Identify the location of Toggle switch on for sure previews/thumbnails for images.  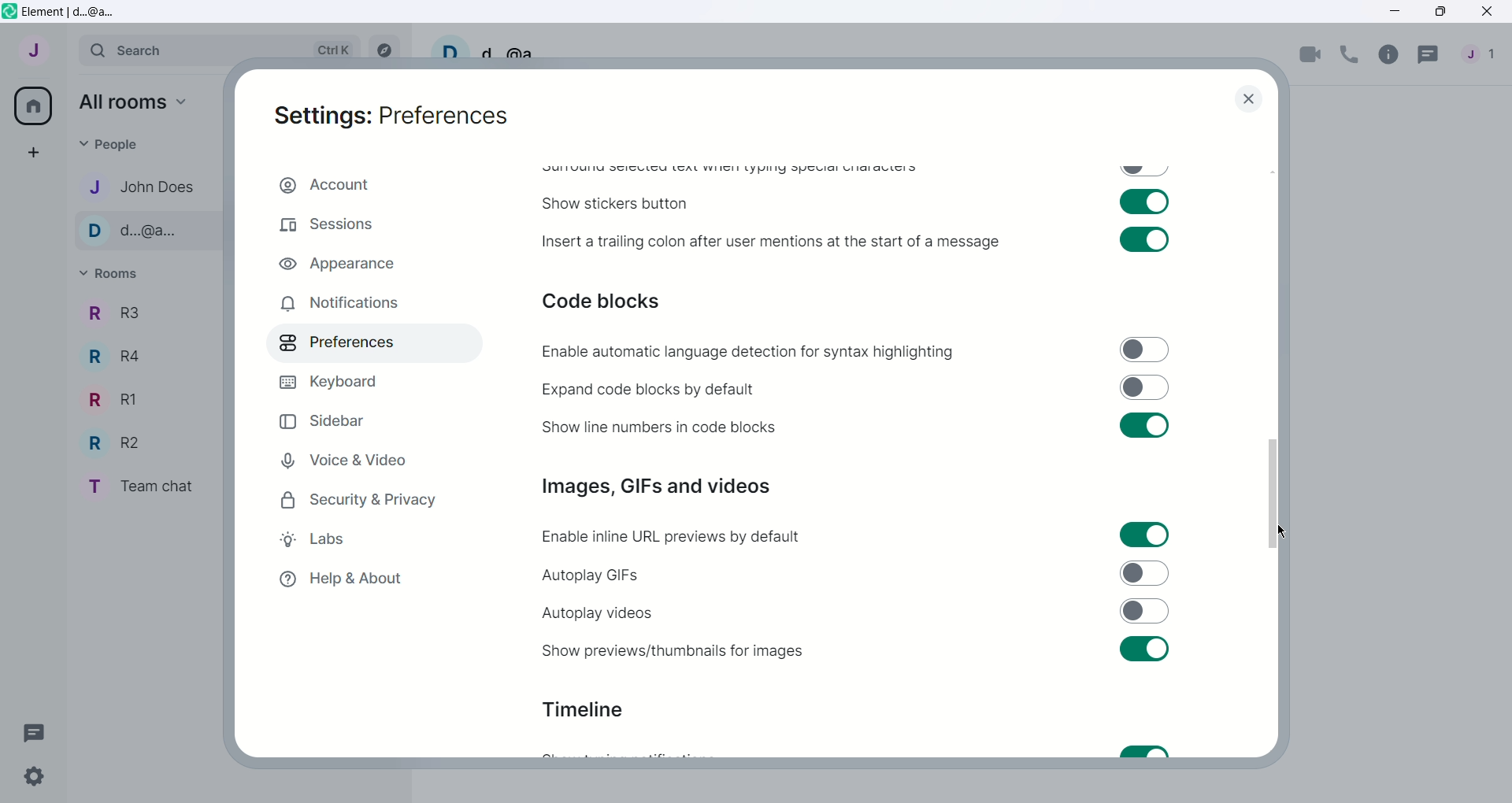
(1143, 649).